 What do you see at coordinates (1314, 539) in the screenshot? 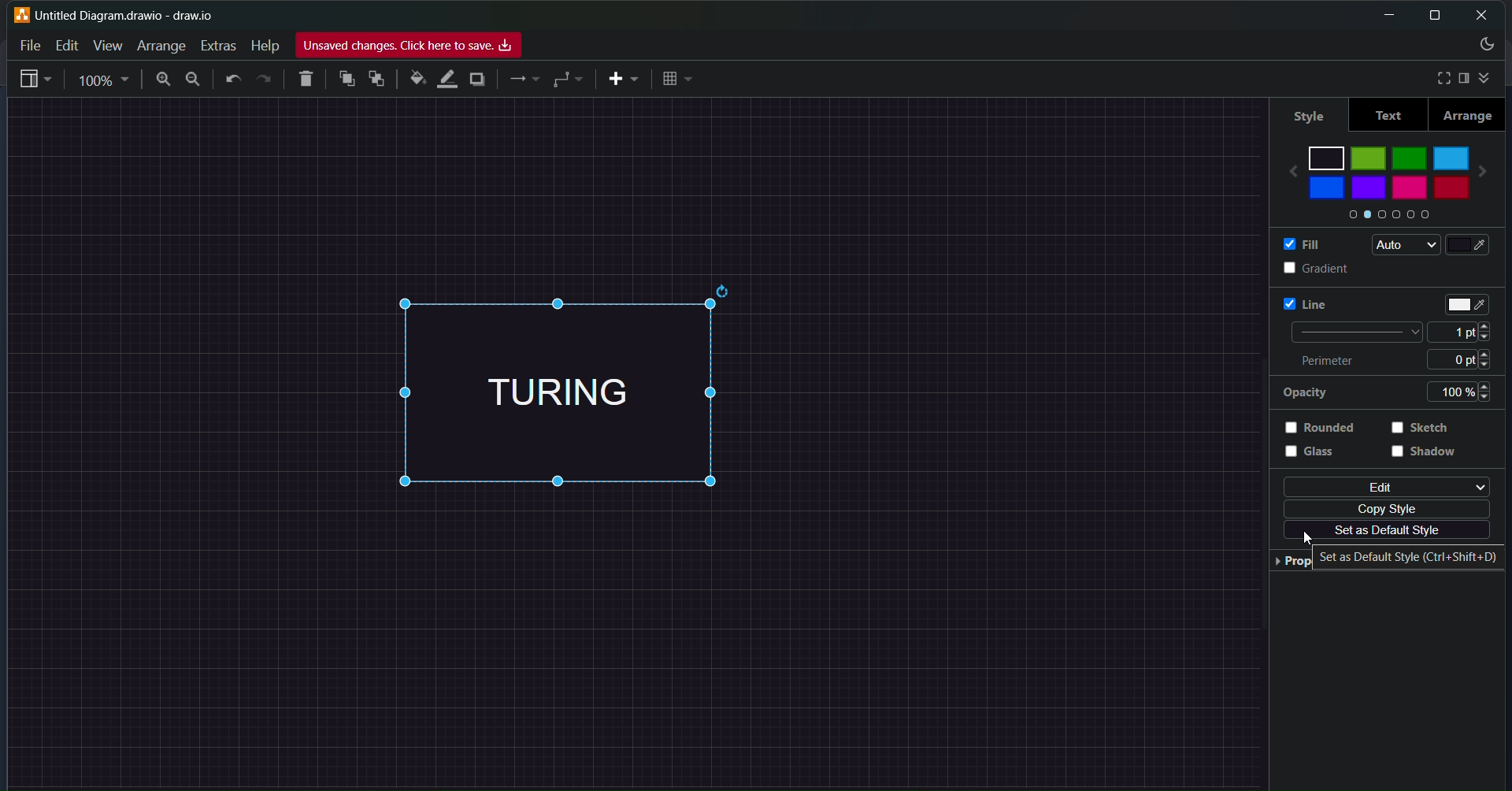
I see `cursor` at bounding box center [1314, 539].